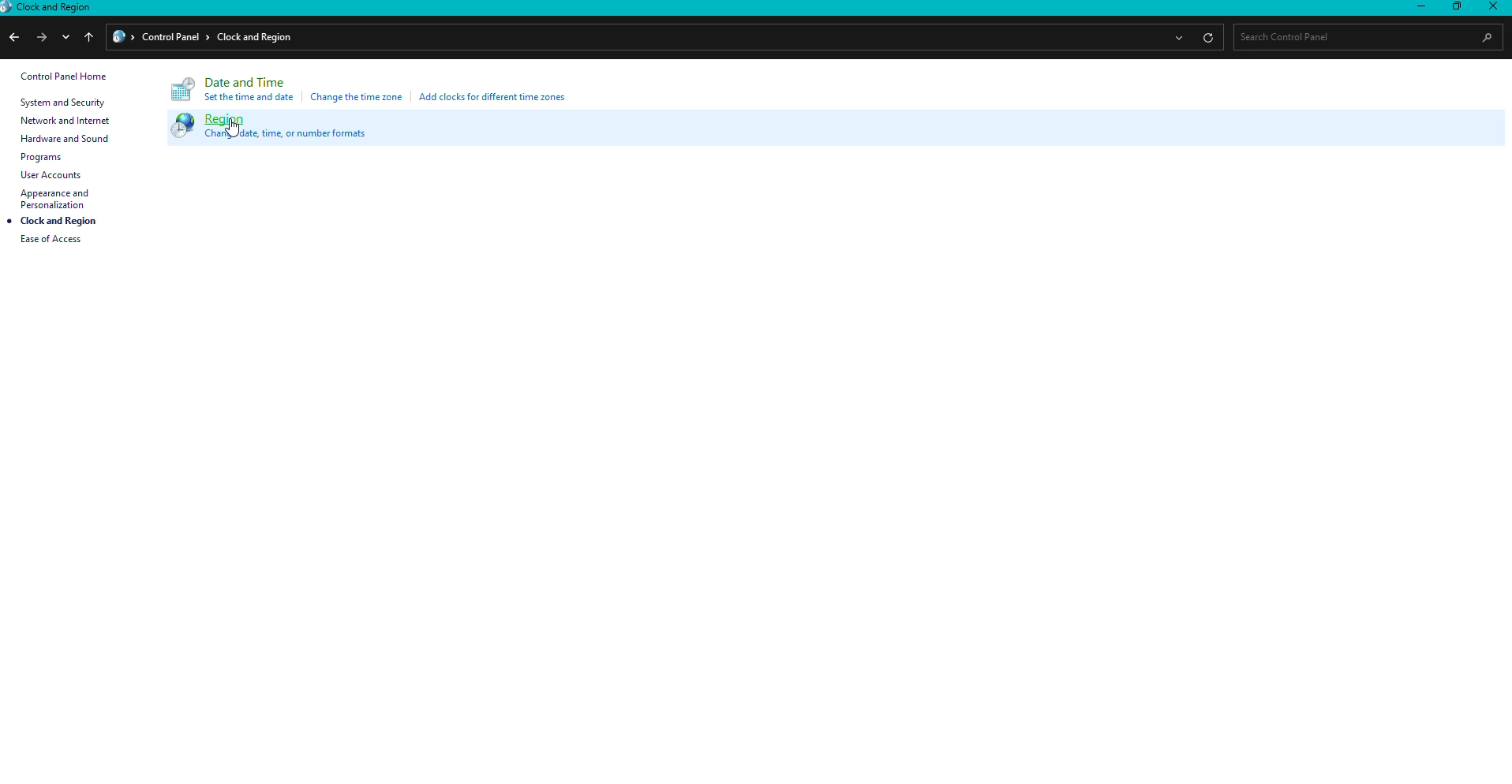  What do you see at coordinates (294, 135) in the screenshot?
I see `Change date, time` at bounding box center [294, 135].